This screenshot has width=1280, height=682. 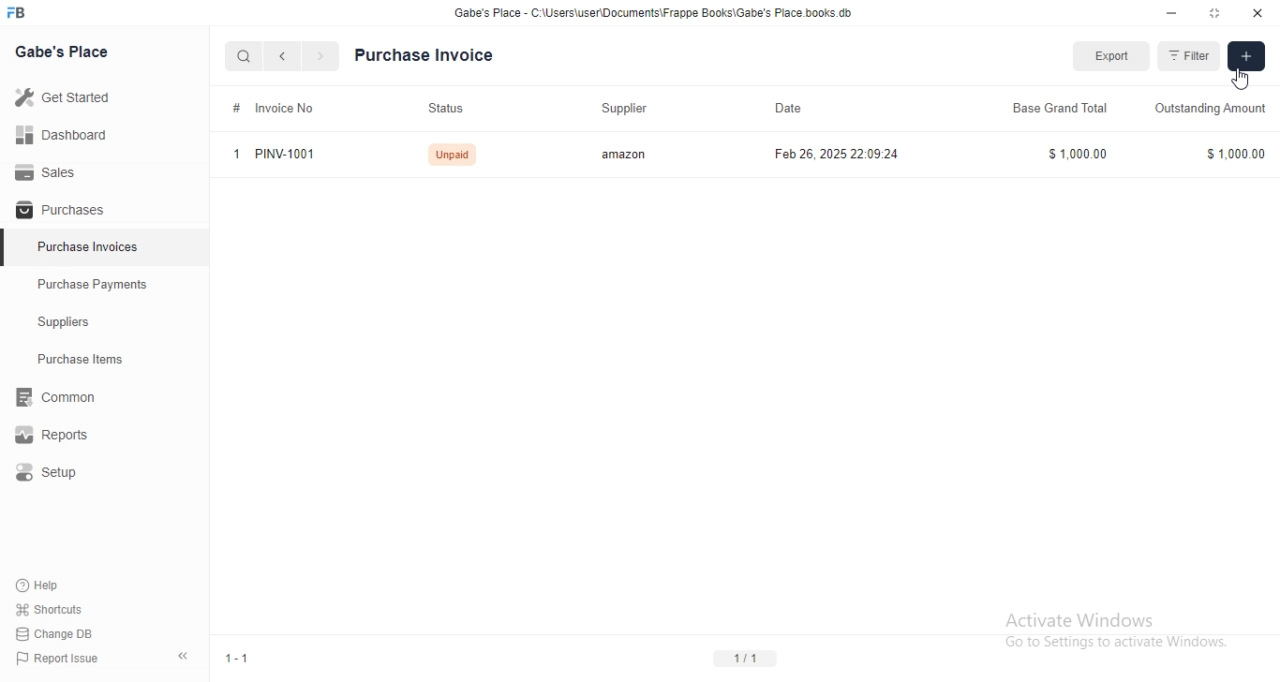 I want to click on Report Issue, so click(x=58, y=658).